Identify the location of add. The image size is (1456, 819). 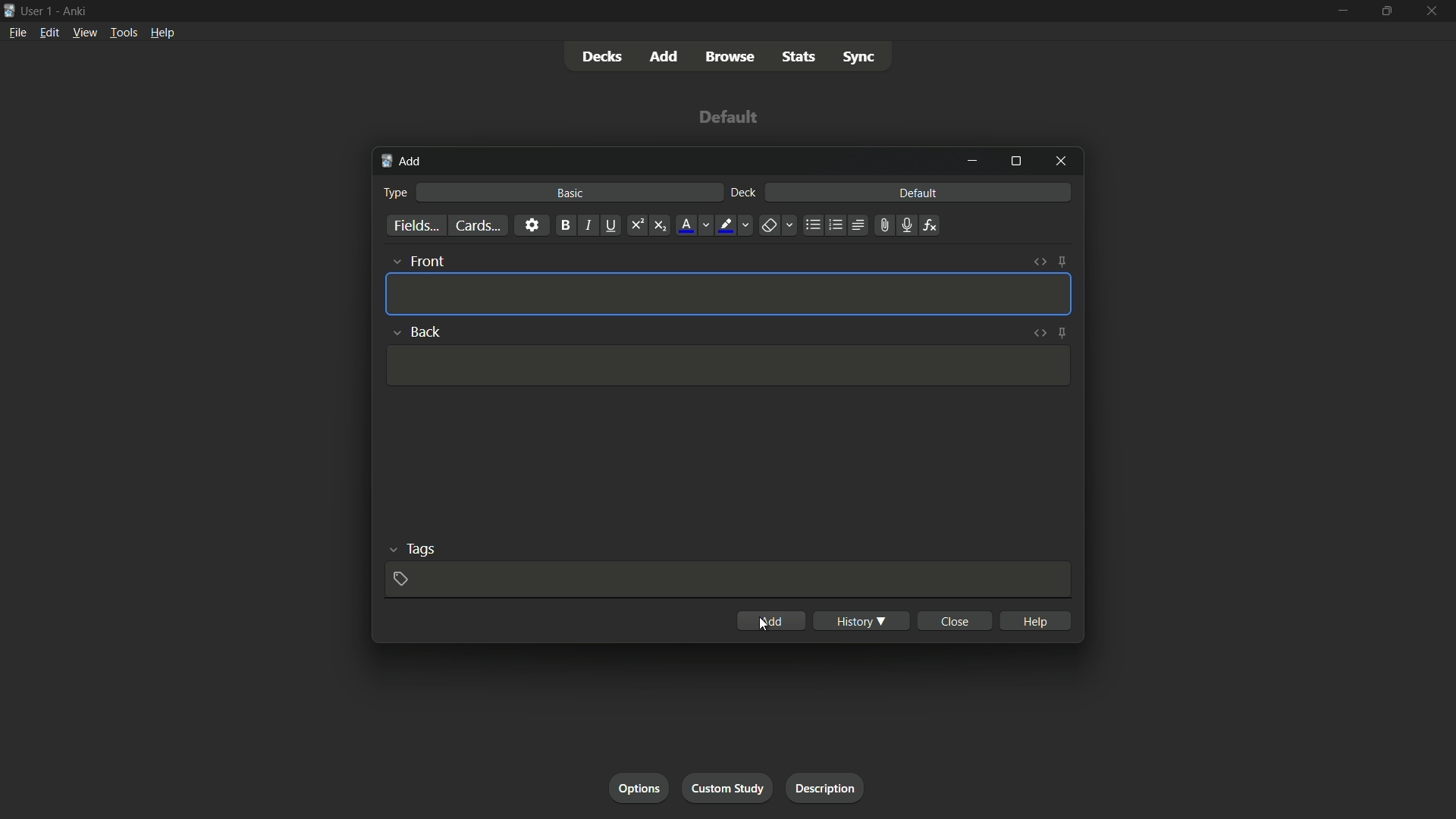
(406, 162).